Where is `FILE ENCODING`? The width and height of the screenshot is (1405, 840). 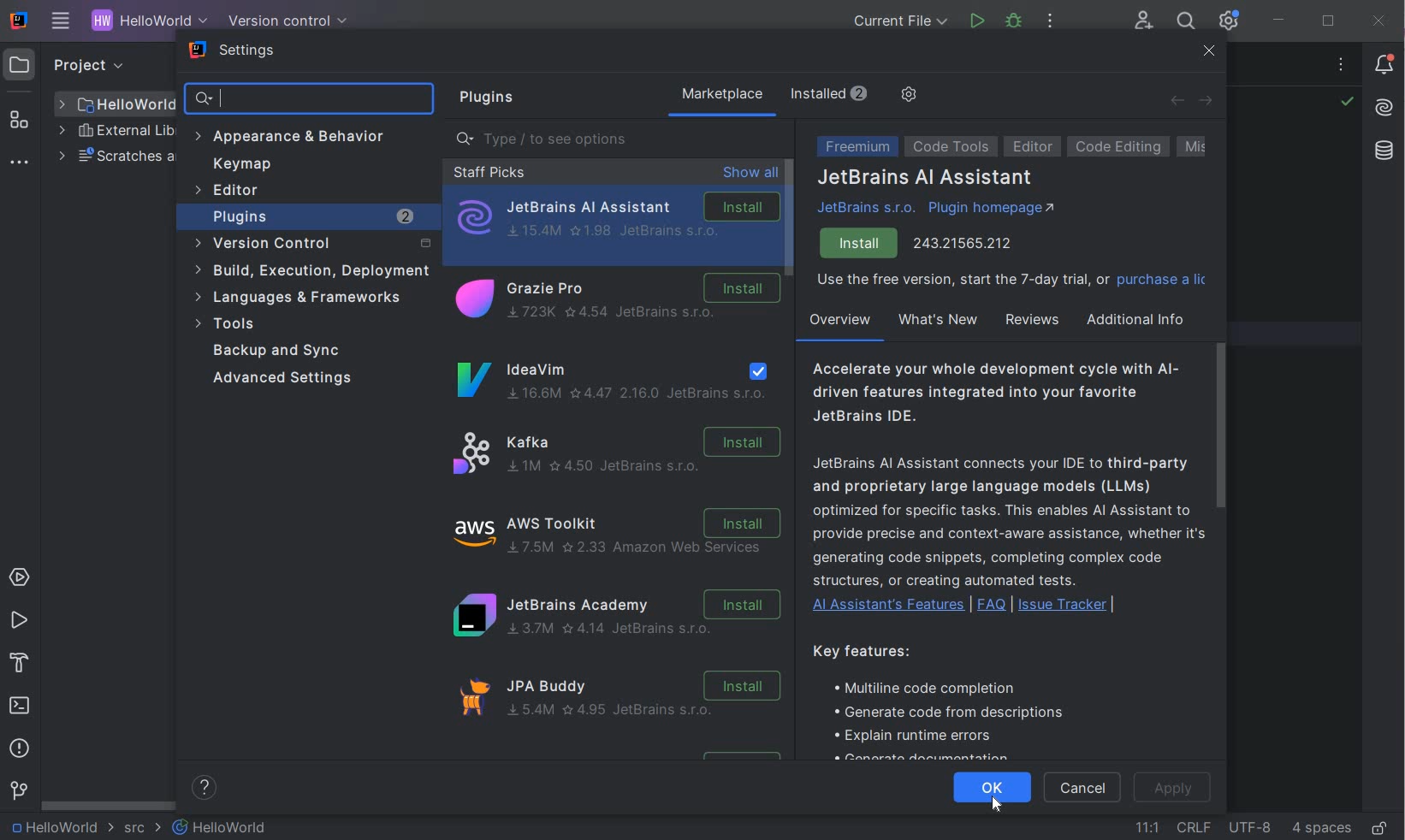 FILE ENCODING is located at coordinates (1249, 826).